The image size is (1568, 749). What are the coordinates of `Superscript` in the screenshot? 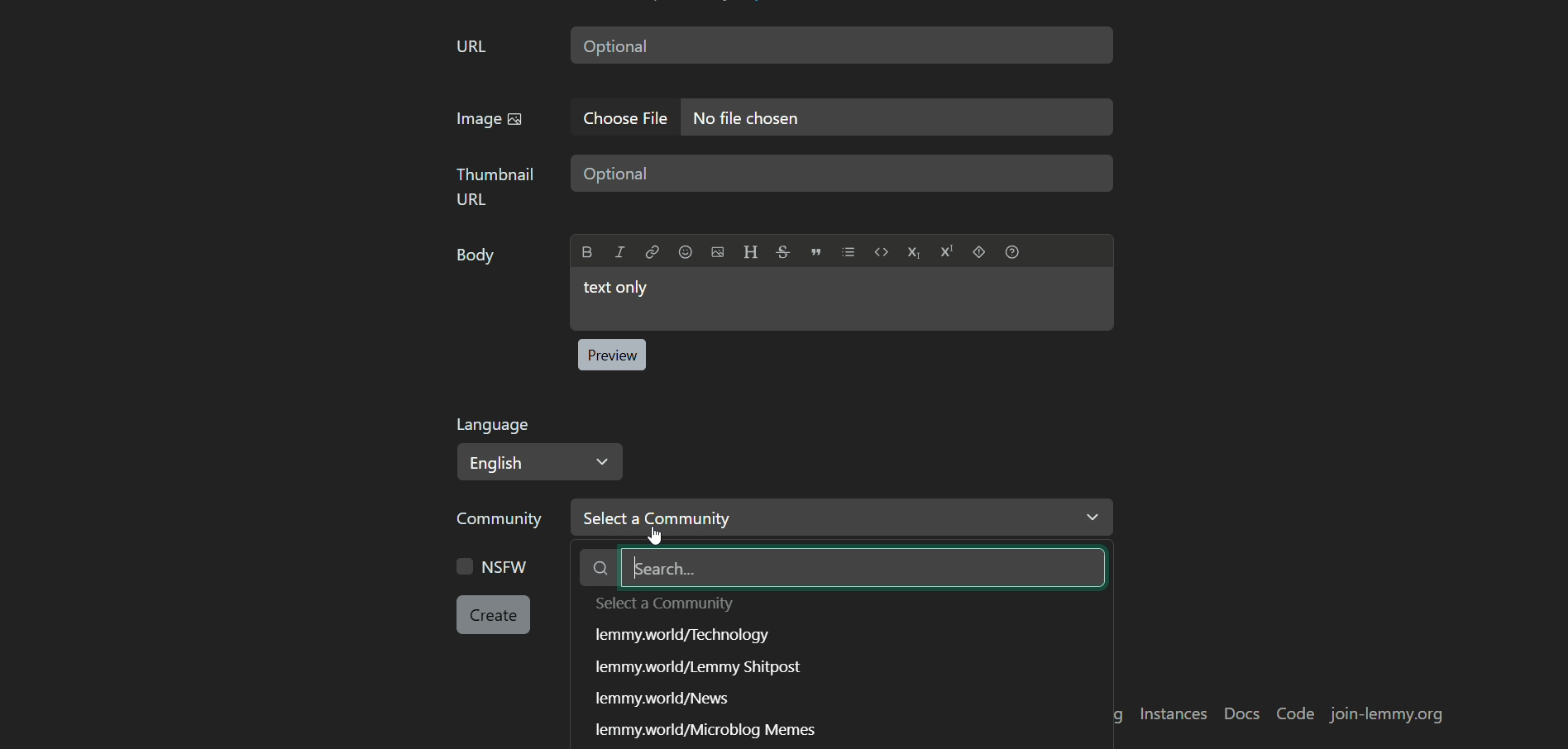 It's located at (947, 251).